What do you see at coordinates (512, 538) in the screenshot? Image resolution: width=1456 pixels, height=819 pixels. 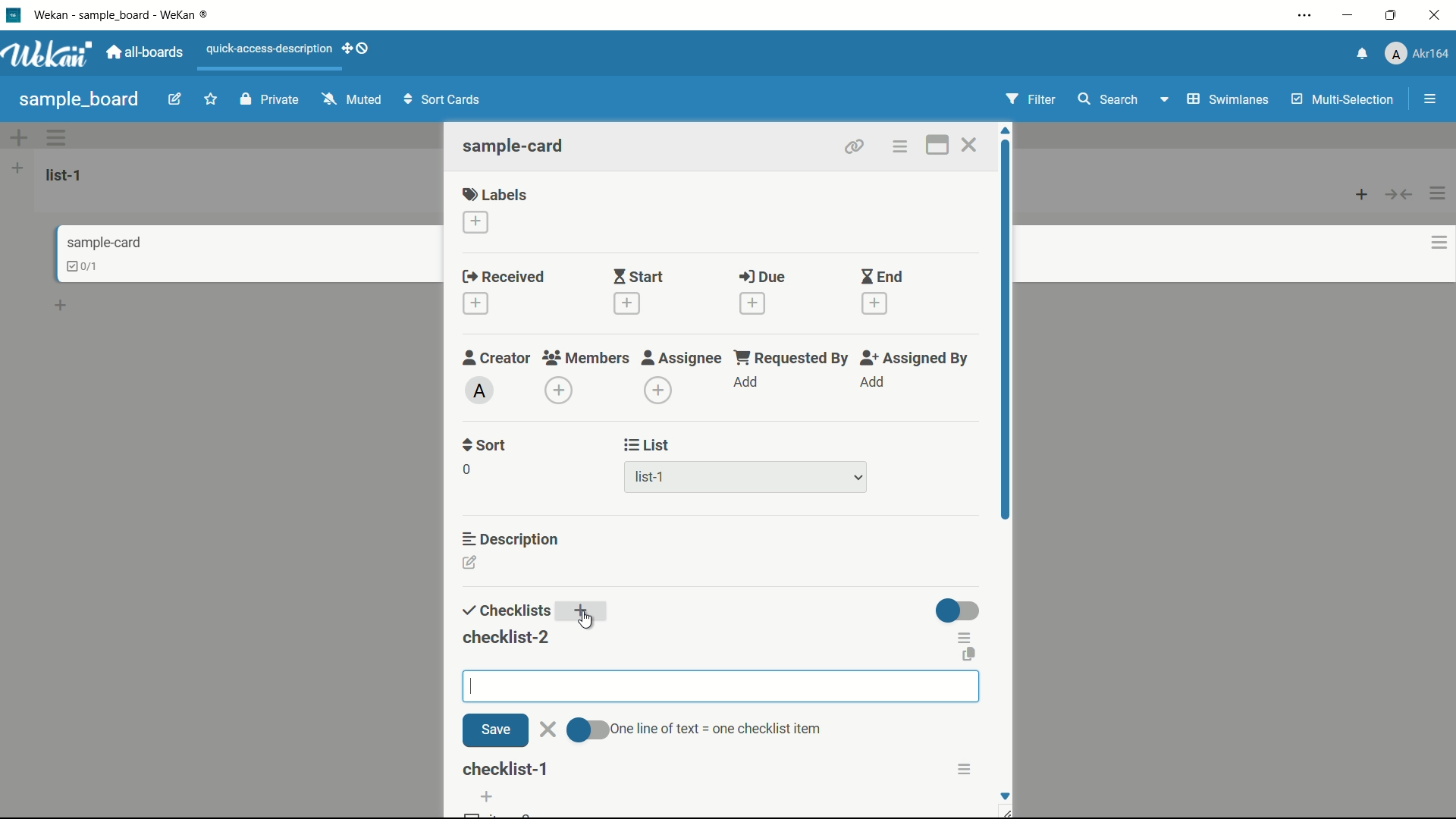 I see `description` at bounding box center [512, 538].